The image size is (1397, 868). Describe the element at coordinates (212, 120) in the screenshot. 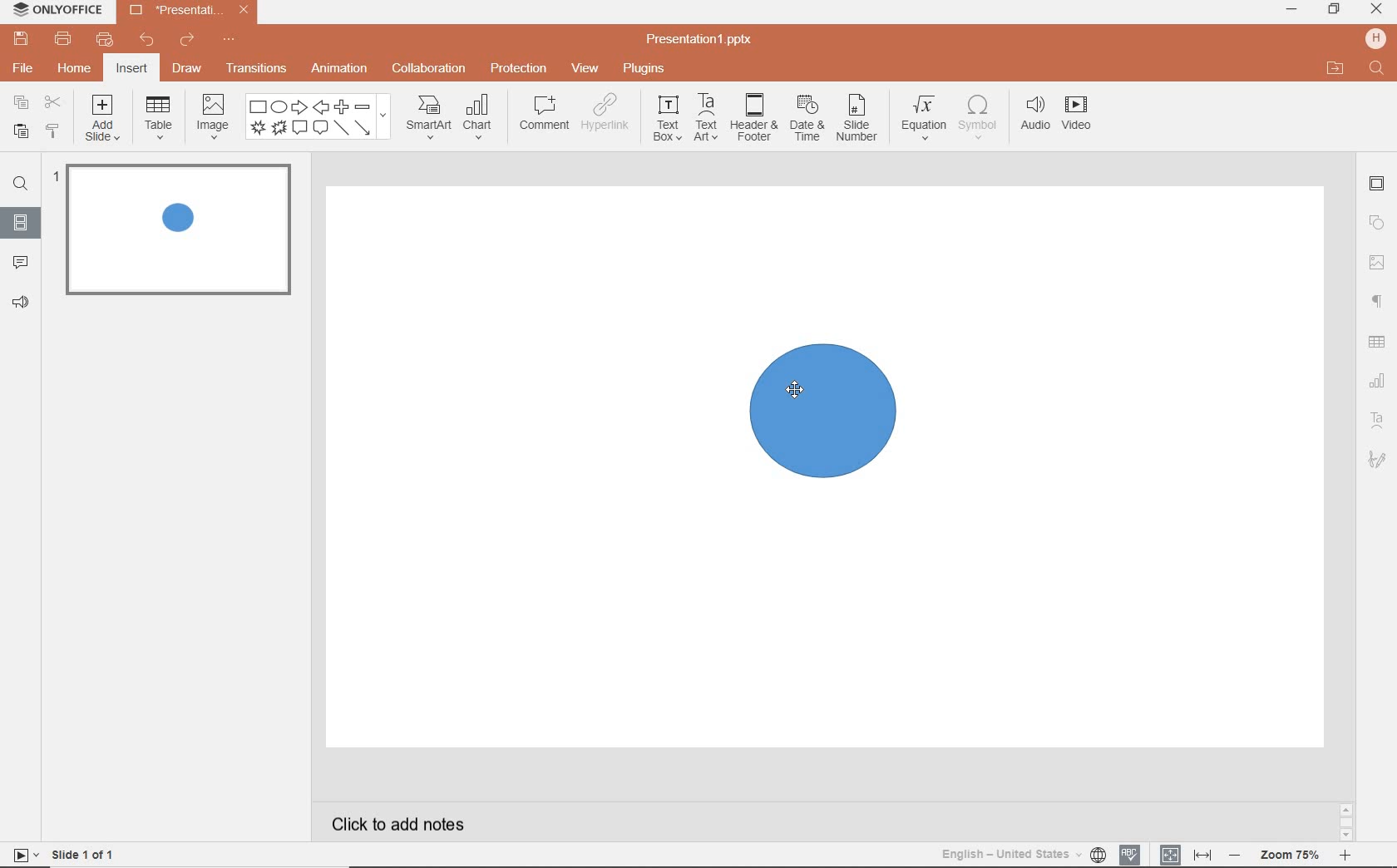

I see `image` at that location.